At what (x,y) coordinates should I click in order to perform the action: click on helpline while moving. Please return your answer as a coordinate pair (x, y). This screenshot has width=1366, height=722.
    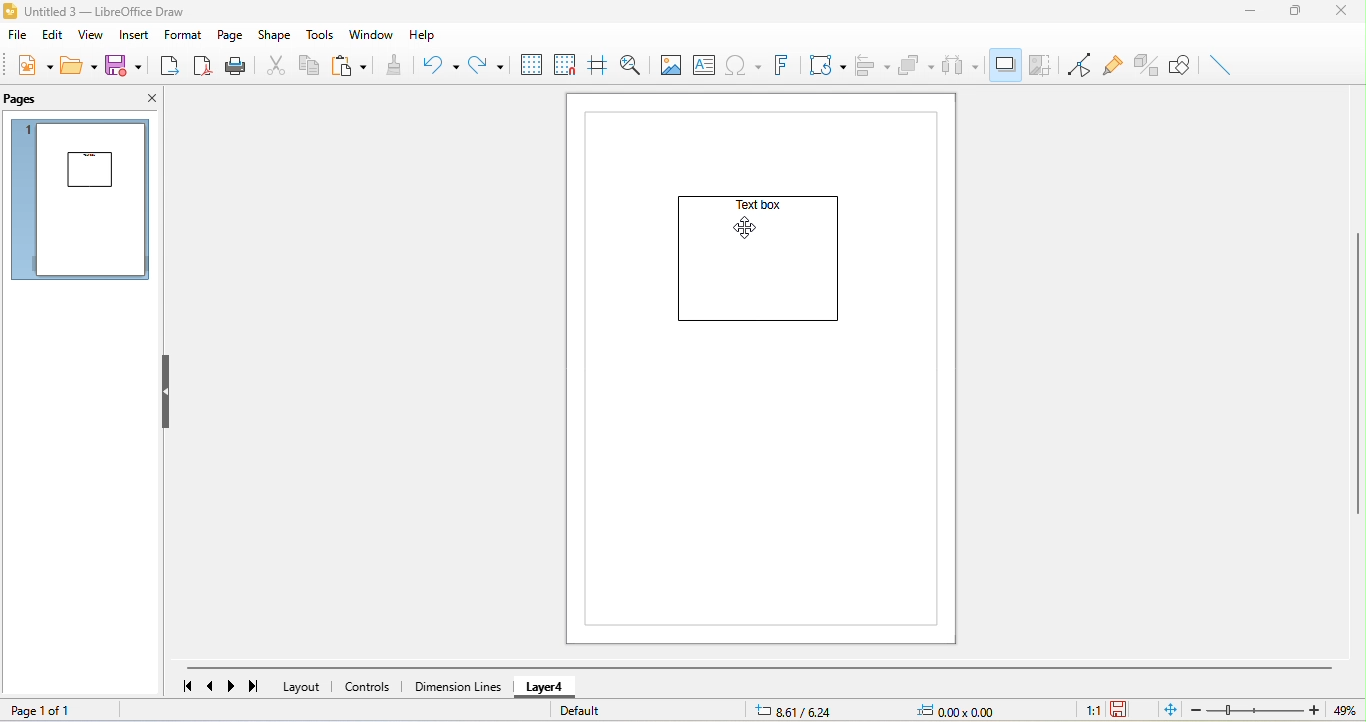
    Looking at the image, I should click on (599, 64).